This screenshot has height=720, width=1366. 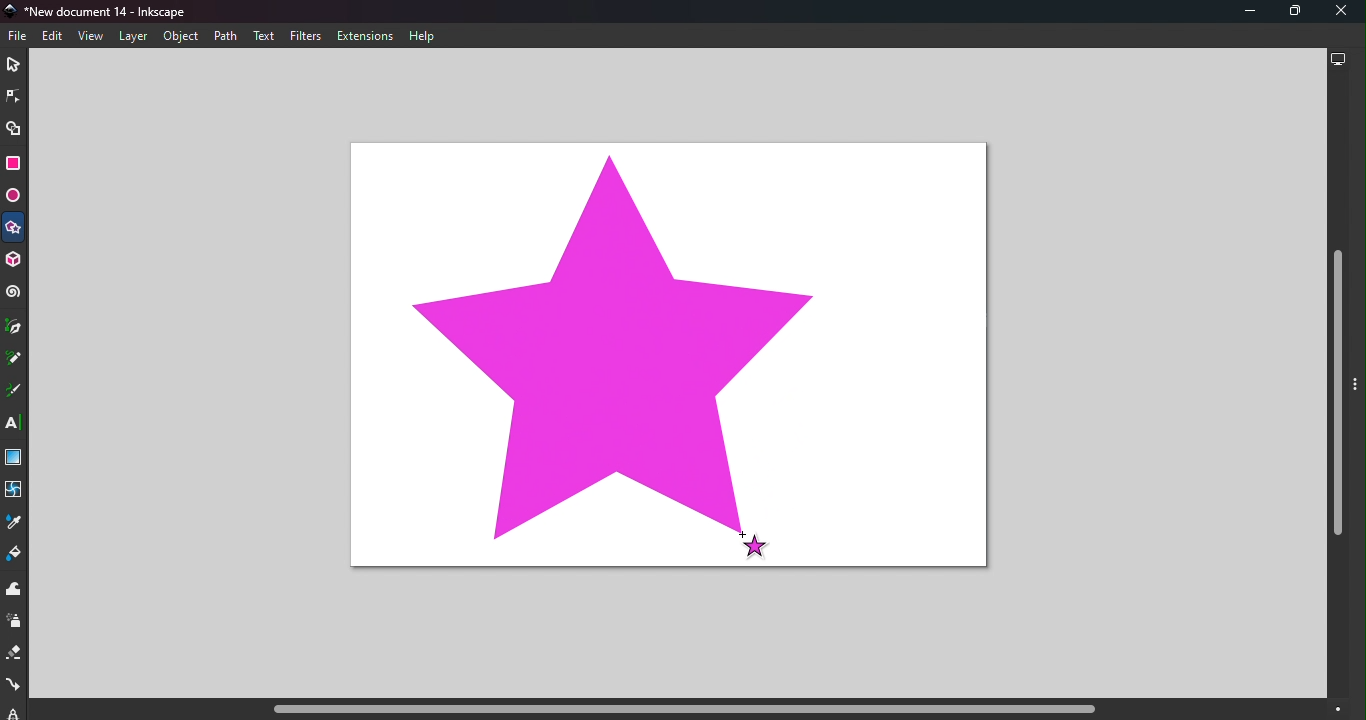 What do you see at coordinates (264, 36) in the screenshot?
I see `Text` at bounding box center [264, 36].